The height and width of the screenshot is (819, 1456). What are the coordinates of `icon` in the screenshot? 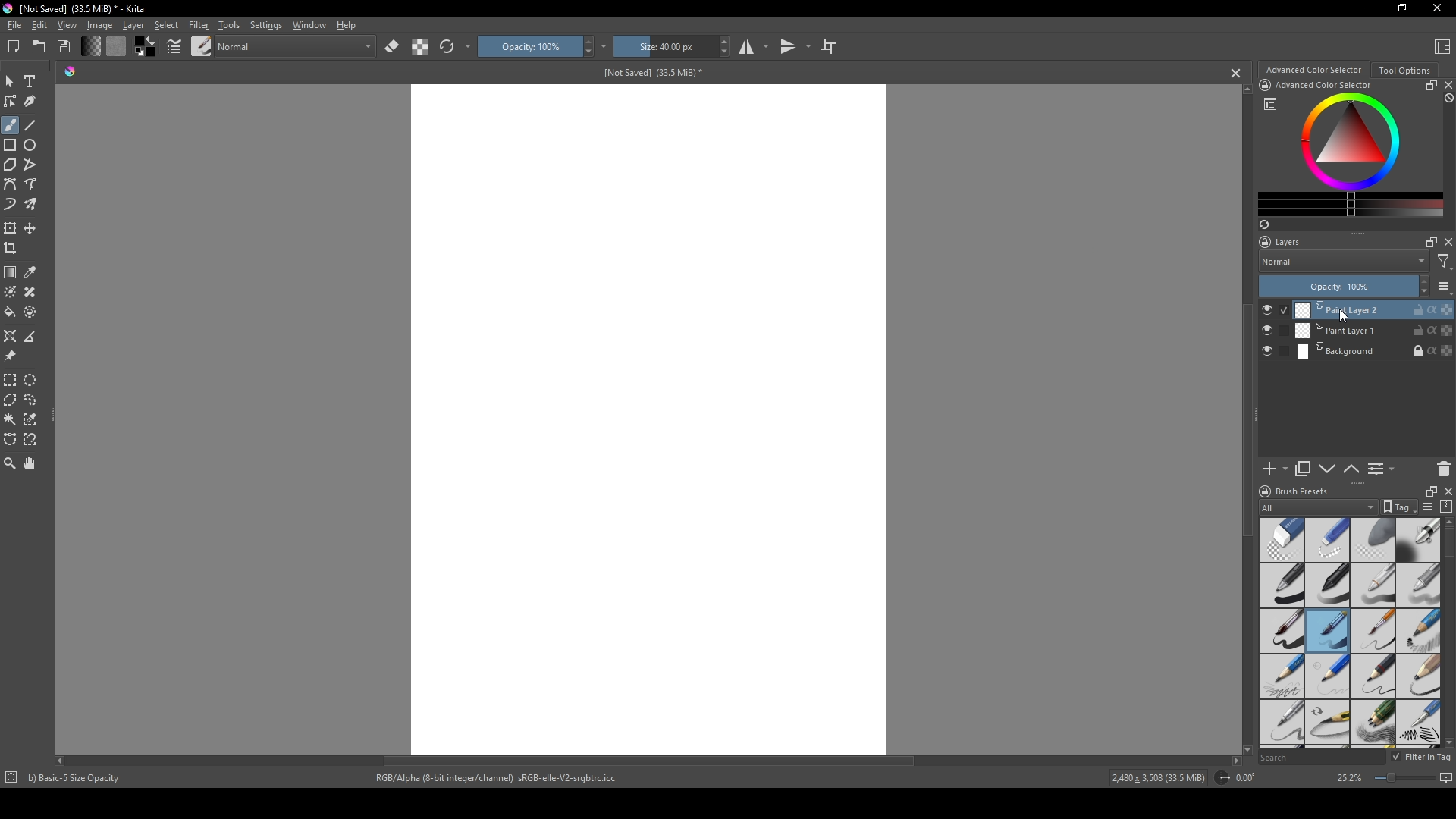 It's located at (1221, 778).